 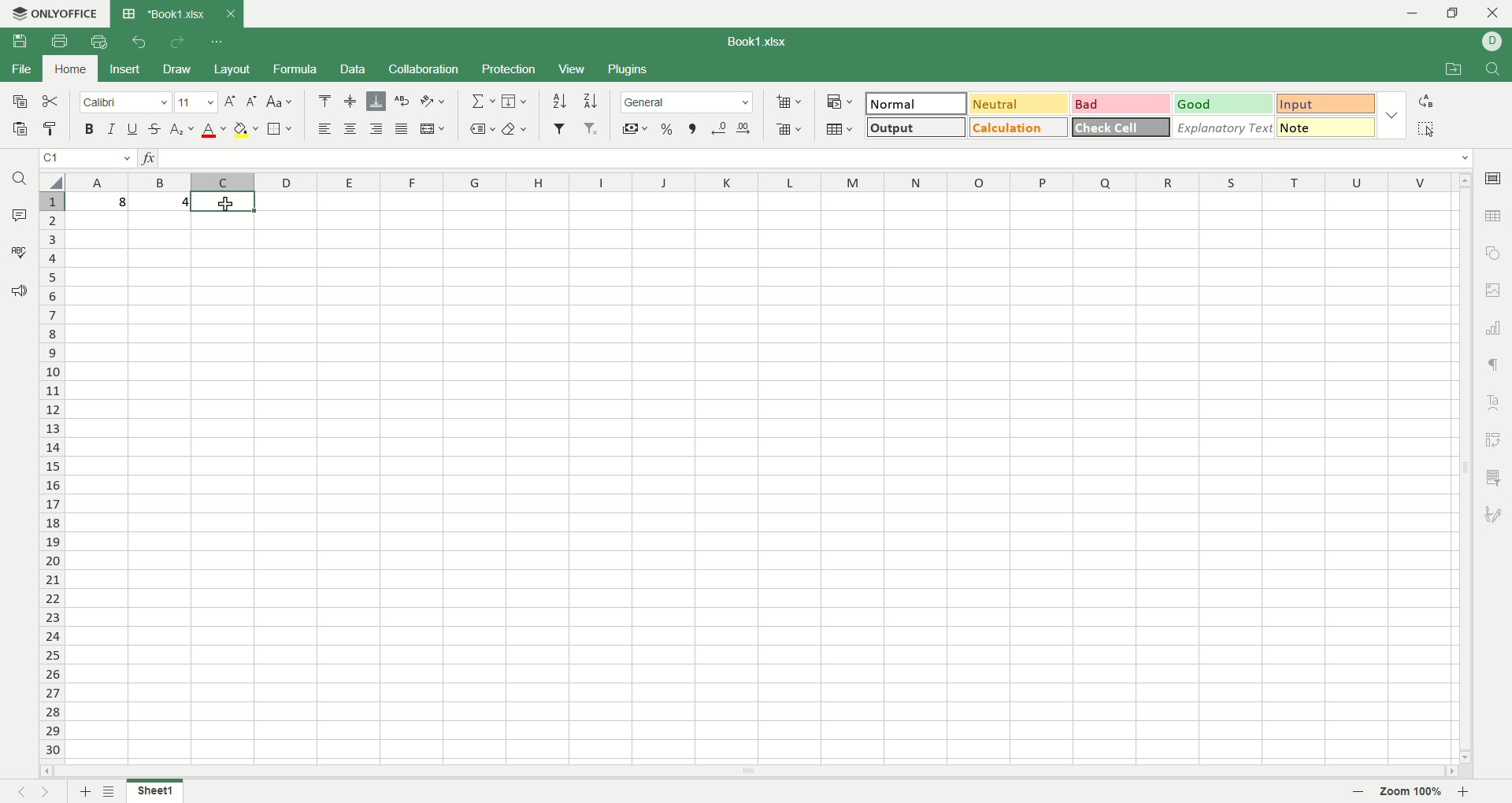 What do you see at coordinates (24, 178) in the screenshot?
I see `find` at bounding box center [24, 178].